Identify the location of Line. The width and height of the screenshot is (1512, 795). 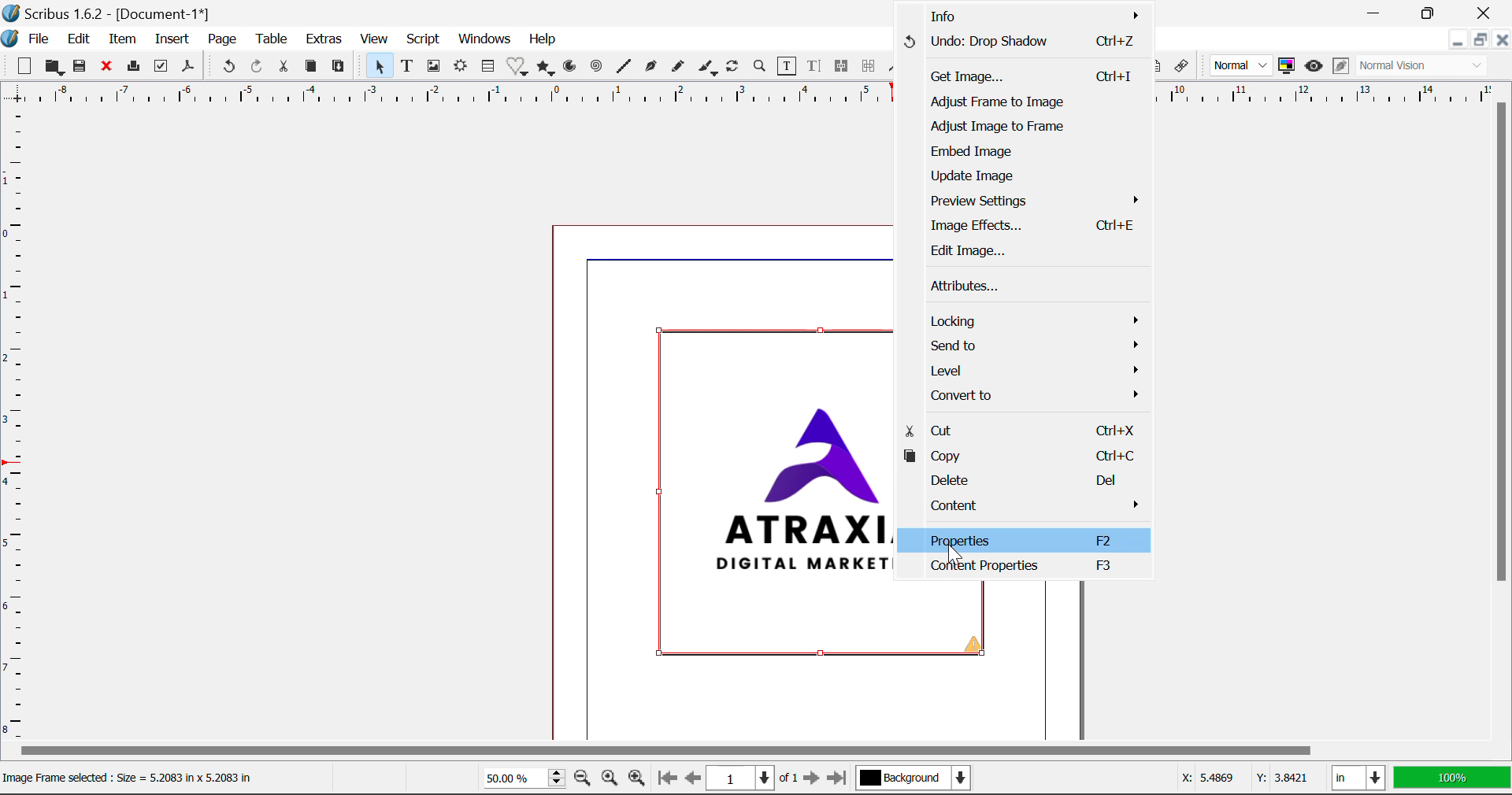
(625, 68).